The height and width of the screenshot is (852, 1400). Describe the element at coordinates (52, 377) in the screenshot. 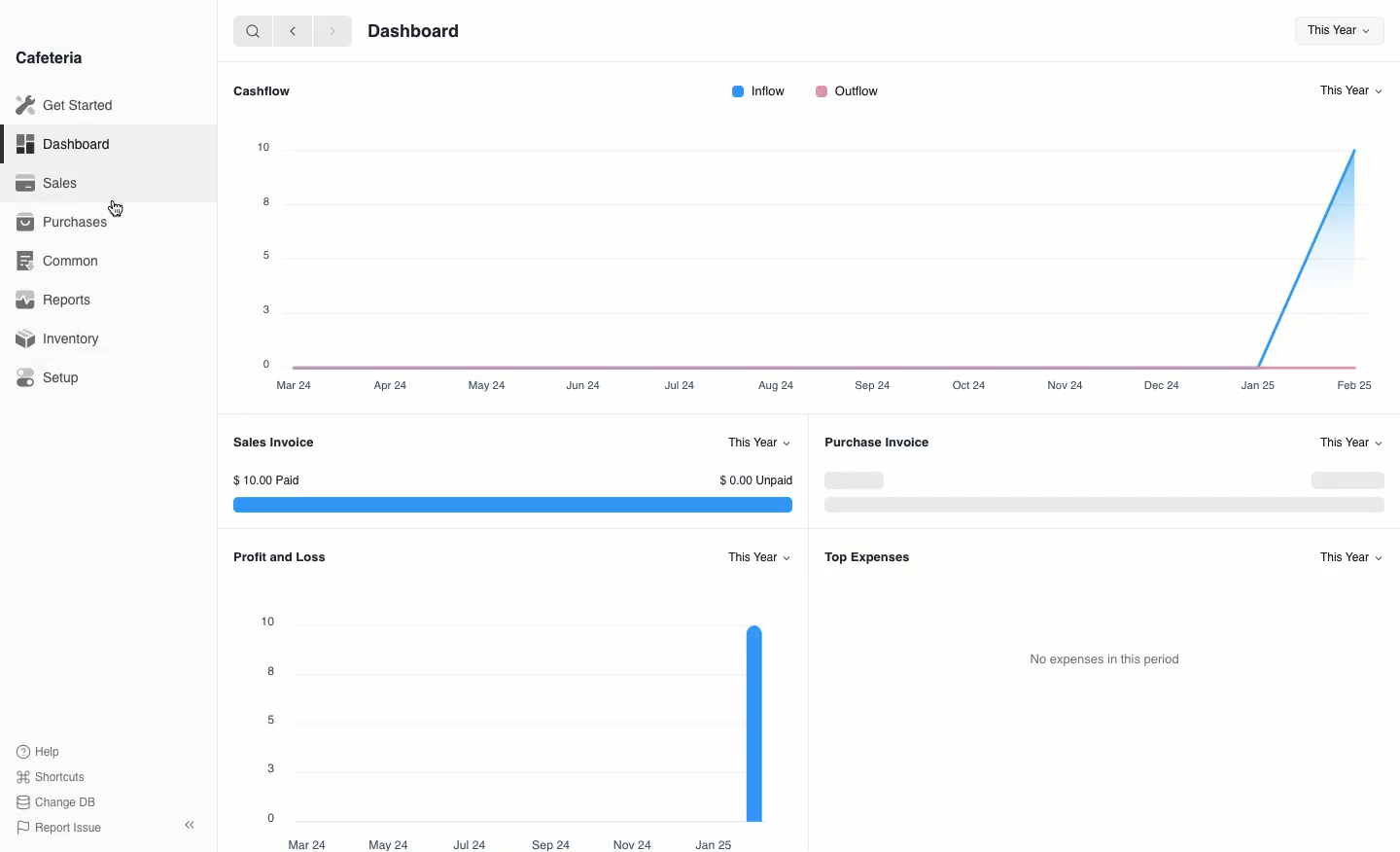

I see `Setup` at that location.